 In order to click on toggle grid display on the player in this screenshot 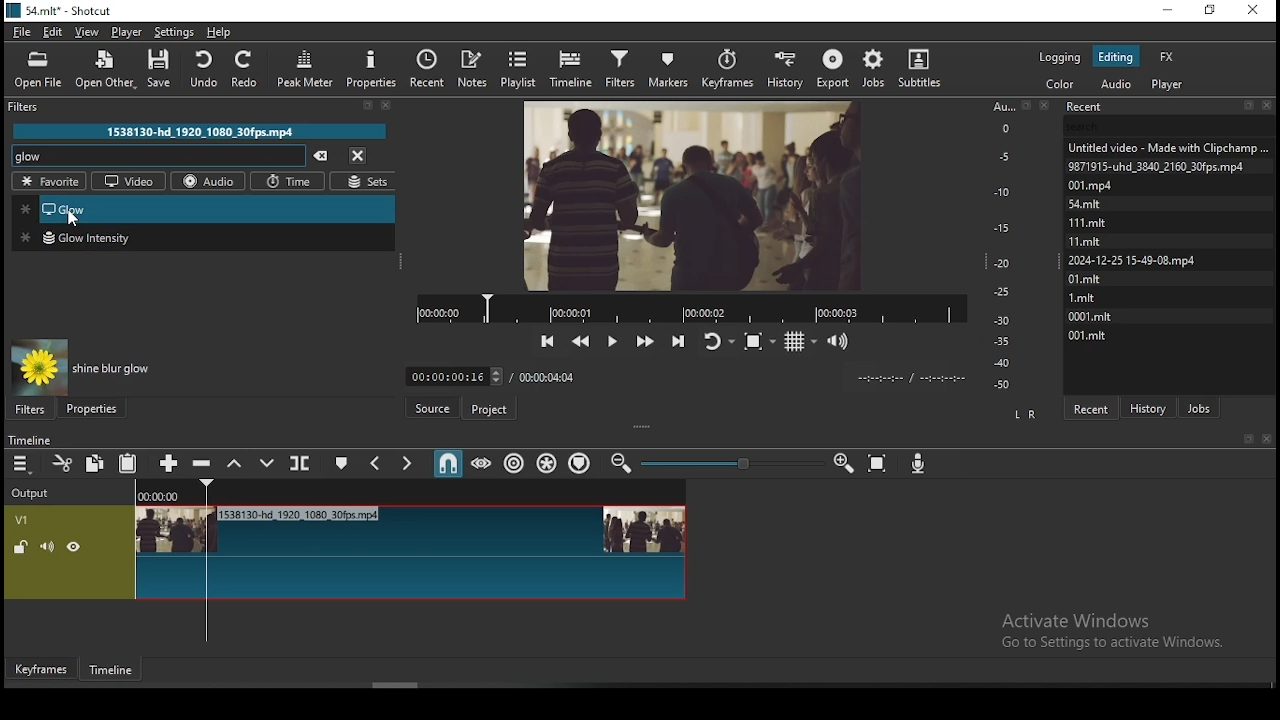, I will do `click(801, 339)`.